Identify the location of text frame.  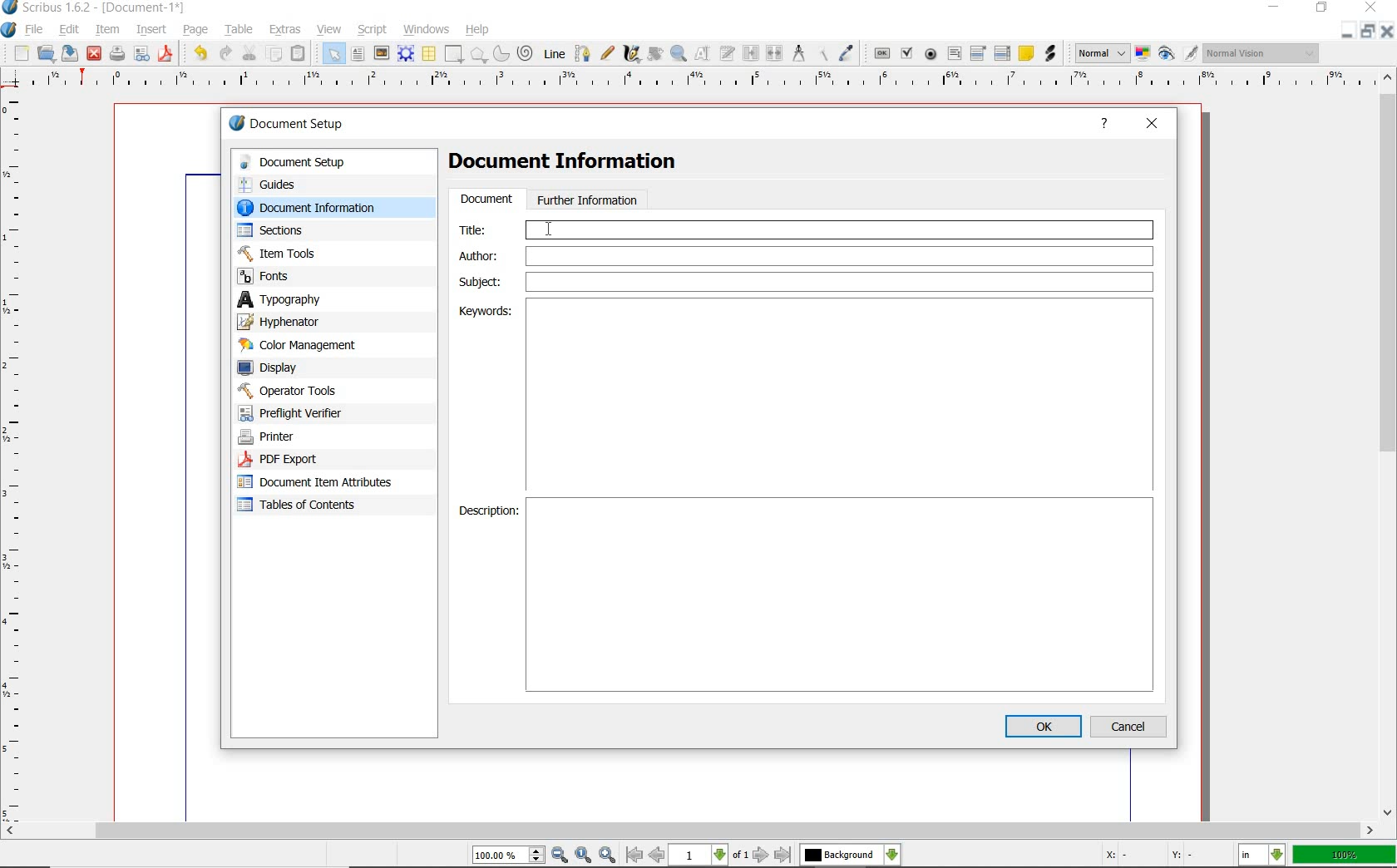
(358, 54).